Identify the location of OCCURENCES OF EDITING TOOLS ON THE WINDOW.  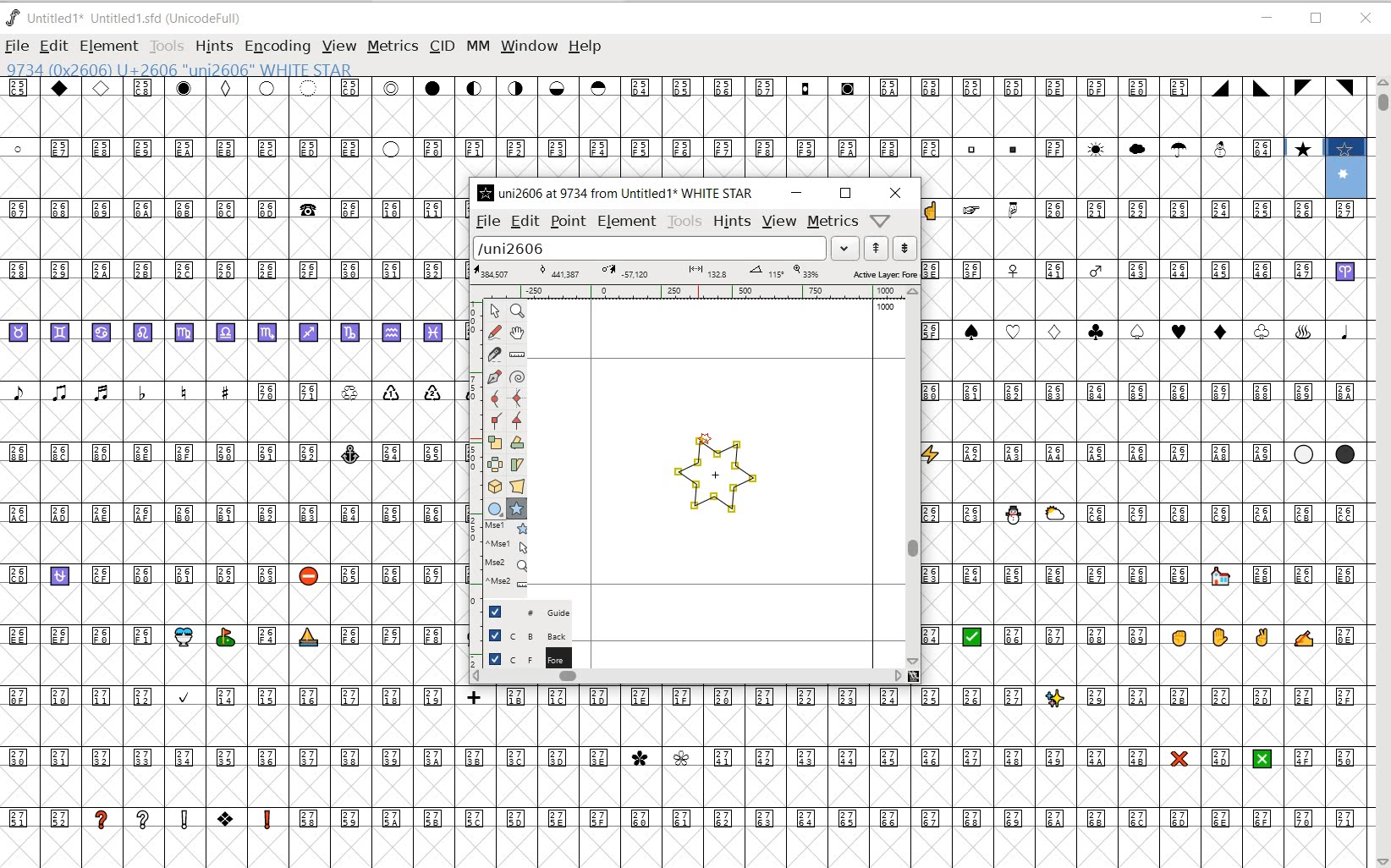
(508, 555).